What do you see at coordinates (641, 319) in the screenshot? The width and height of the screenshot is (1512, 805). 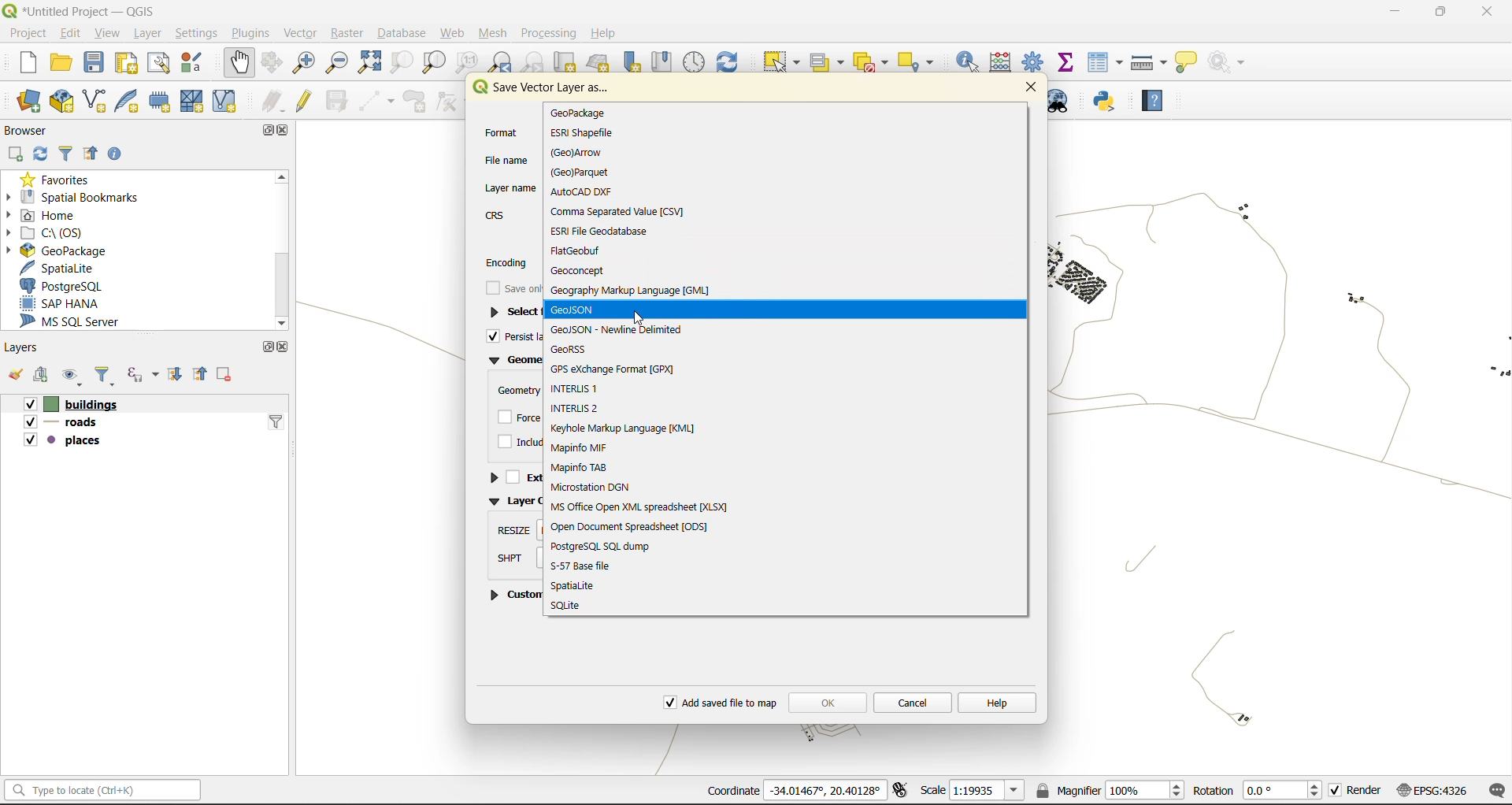 I see `cursor` at bounding box center [641, 319].